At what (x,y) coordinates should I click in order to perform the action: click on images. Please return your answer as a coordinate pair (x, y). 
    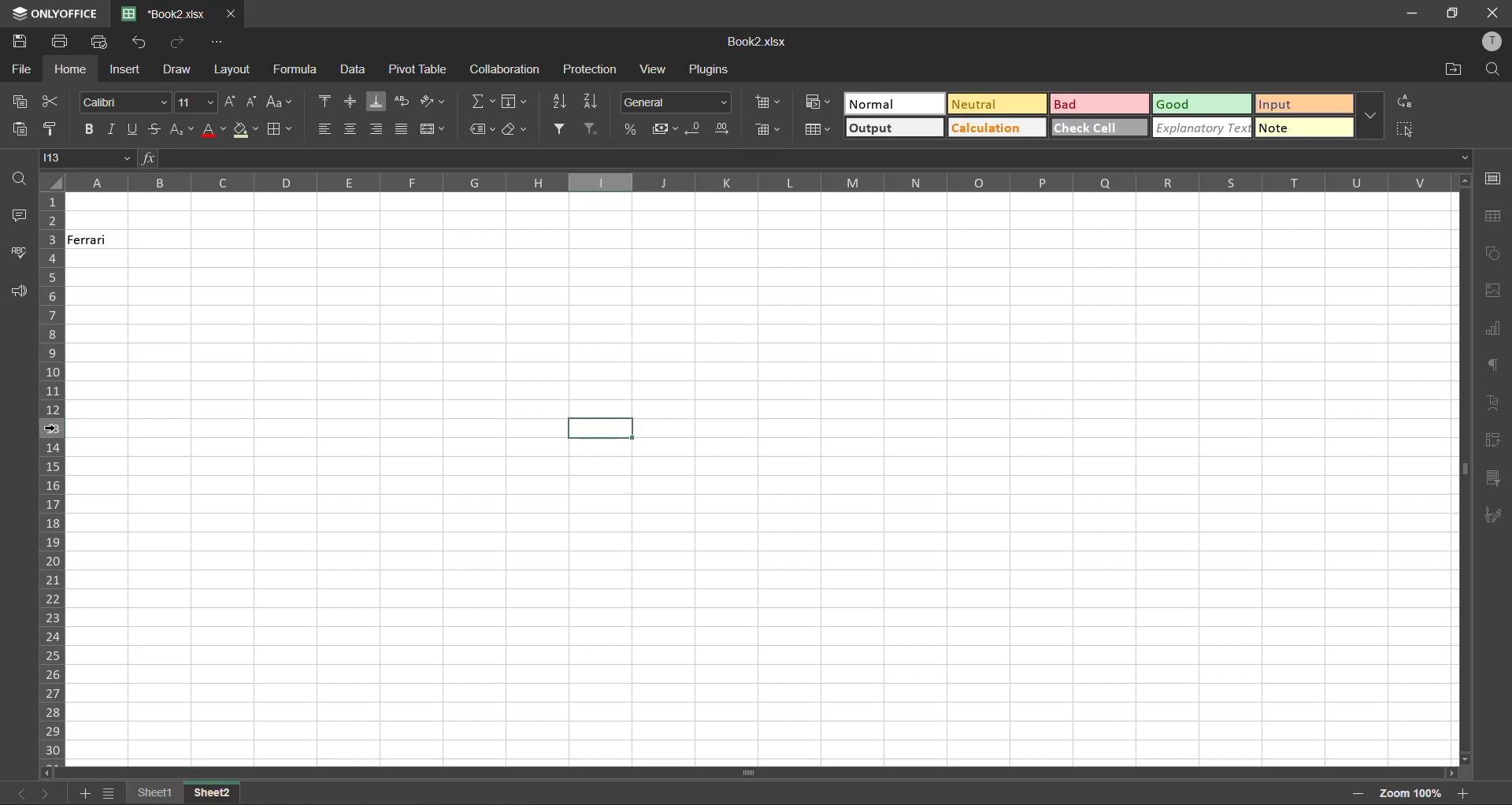
    Looking at the image, I should click on (1495, 295).